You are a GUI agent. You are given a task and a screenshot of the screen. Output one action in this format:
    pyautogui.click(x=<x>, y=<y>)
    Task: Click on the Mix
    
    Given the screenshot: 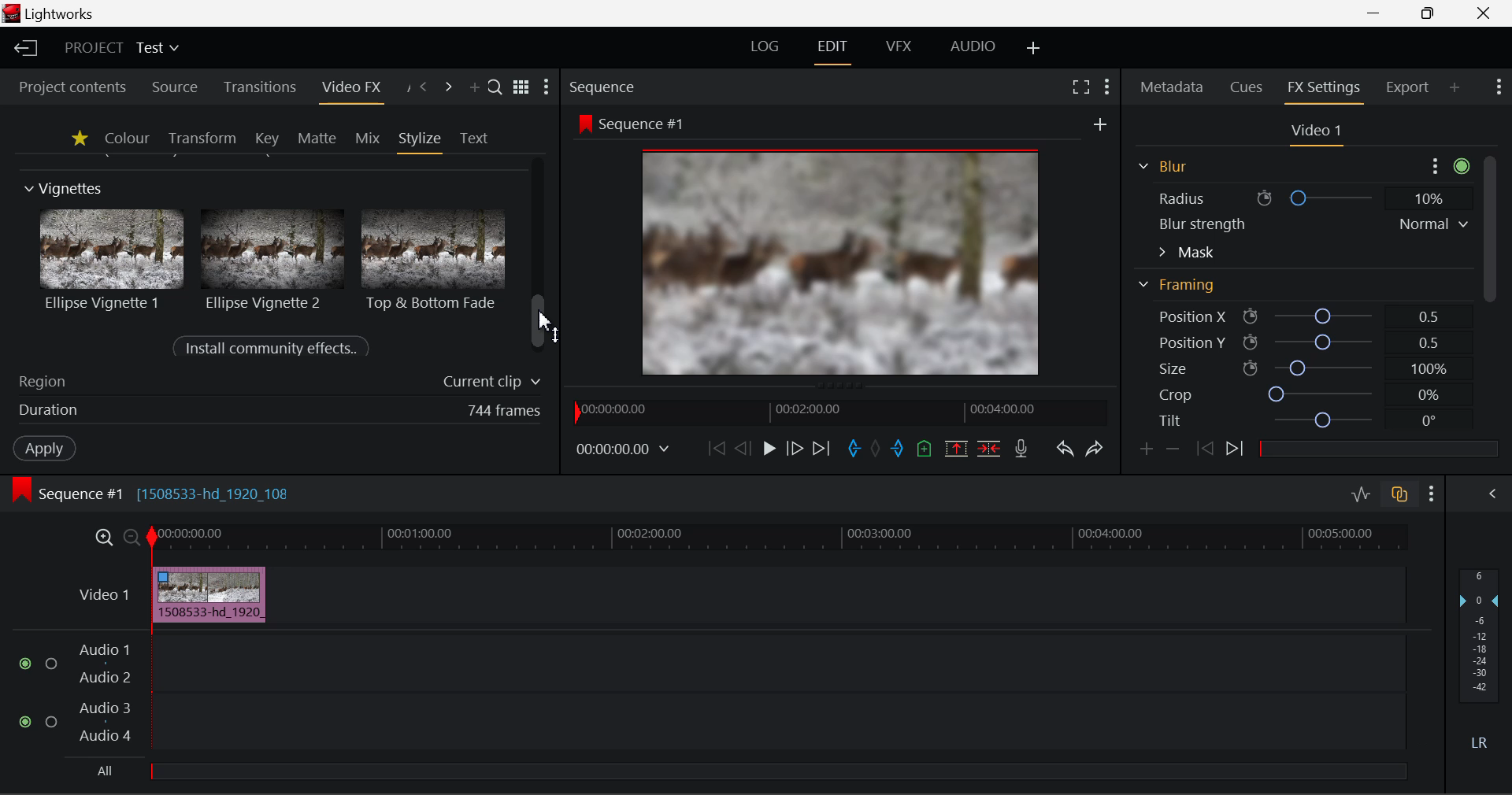 What is the action you would take?
    pyautogui.click(x=367, y=137)
    